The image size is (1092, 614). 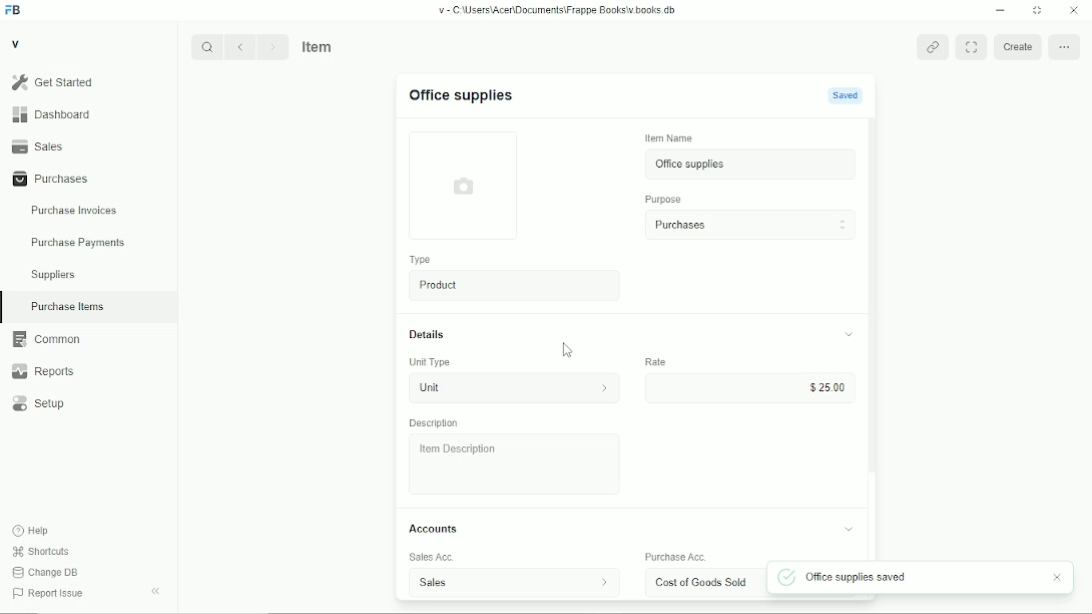 I want to click on Close, so click(x=1074, y=9).